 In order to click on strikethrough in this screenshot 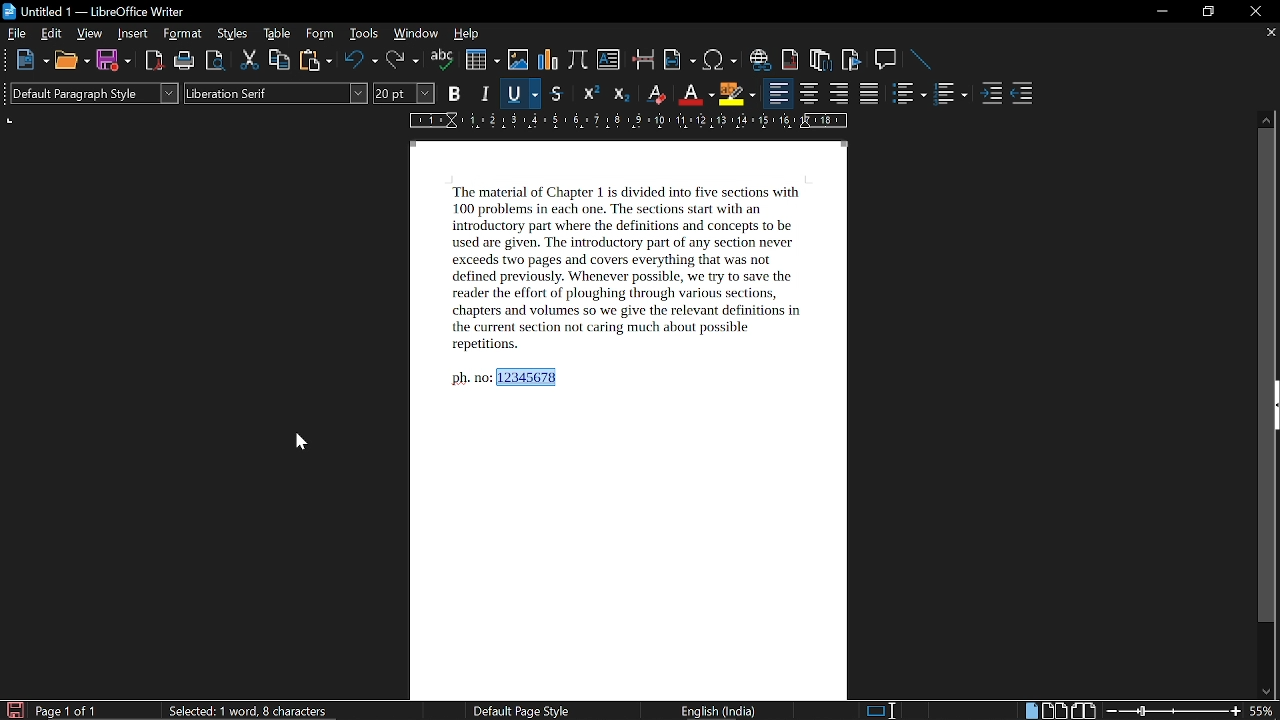, I will do `click(556, 94)`.